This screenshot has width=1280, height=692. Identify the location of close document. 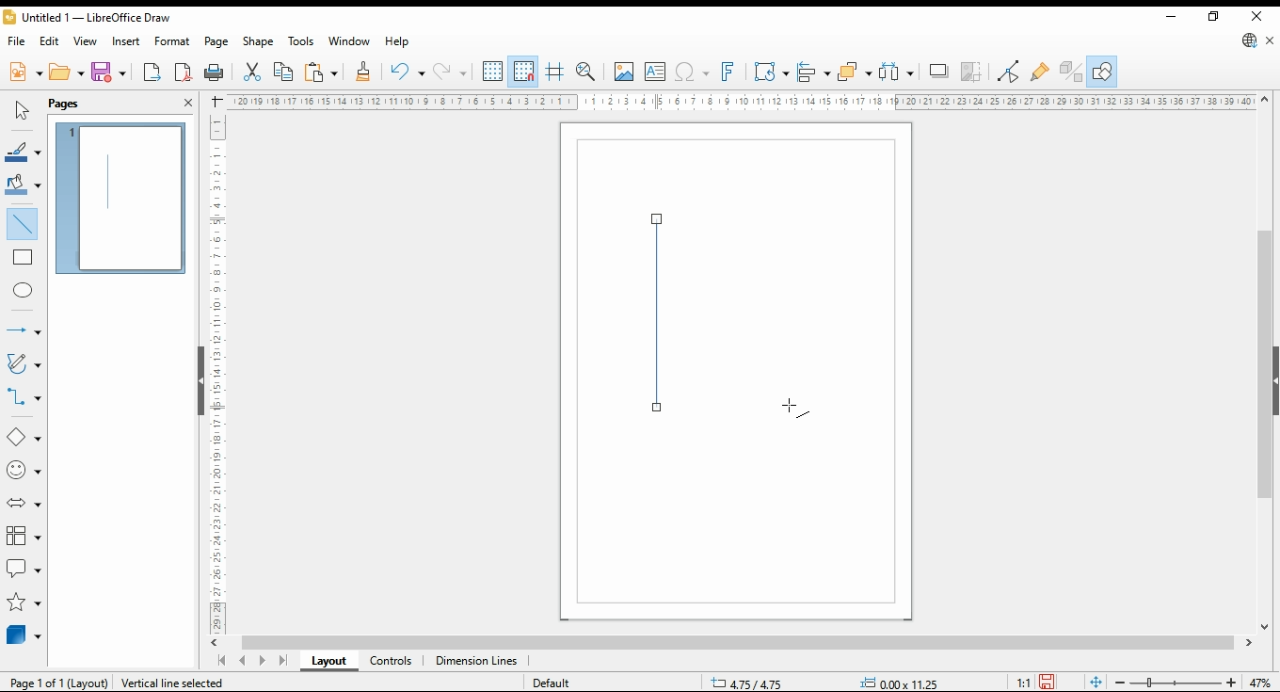
(1271, 42).